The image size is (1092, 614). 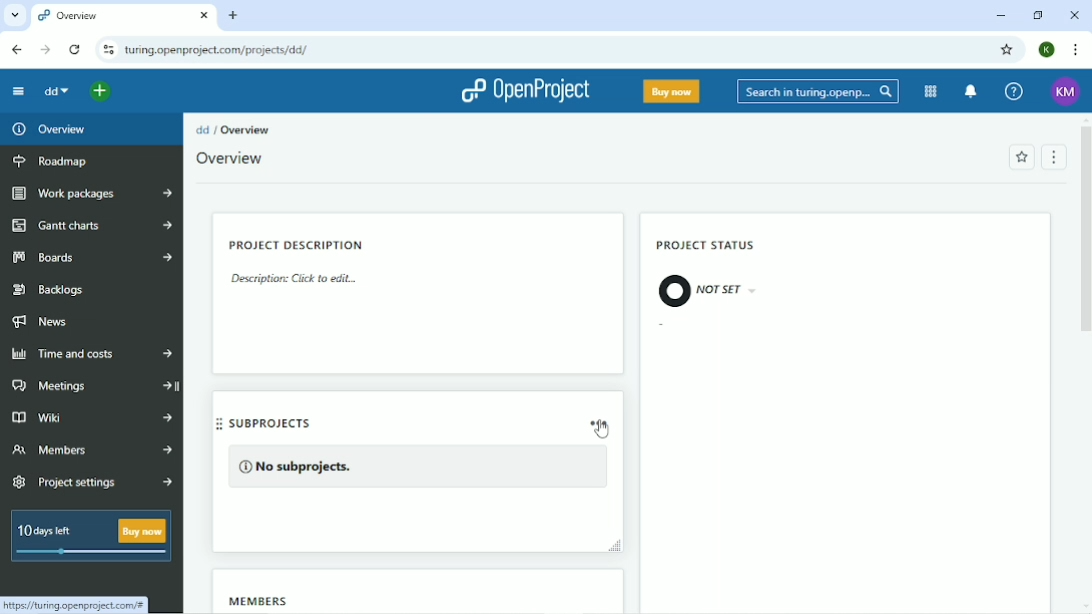 What do you see at coordinates (970, 92) in the screenshot?
I see `To notification center` at bounding box center [970, 92].